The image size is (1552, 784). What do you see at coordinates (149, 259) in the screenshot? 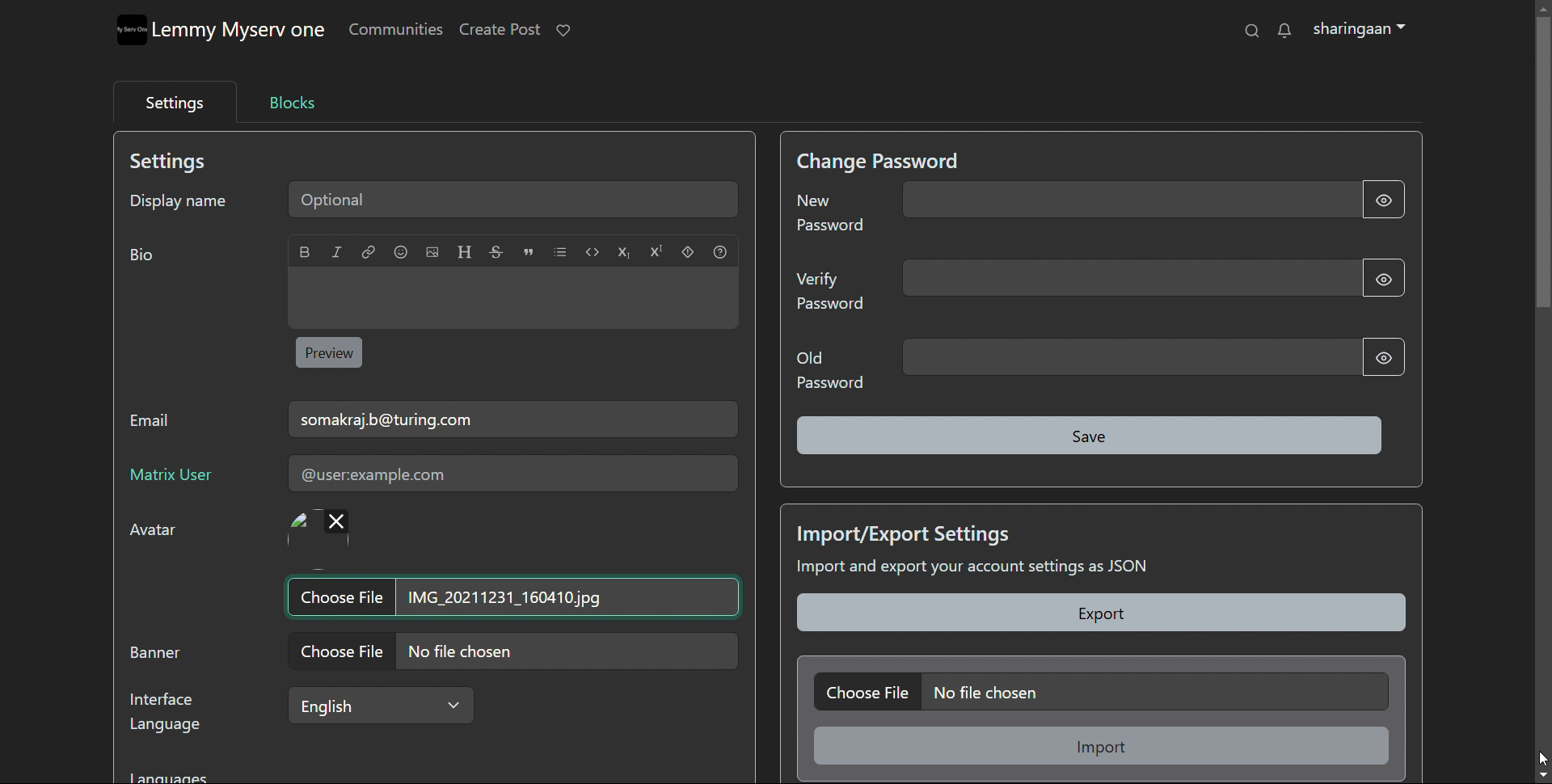
I see `Bio` at bounding box center [149, 259].